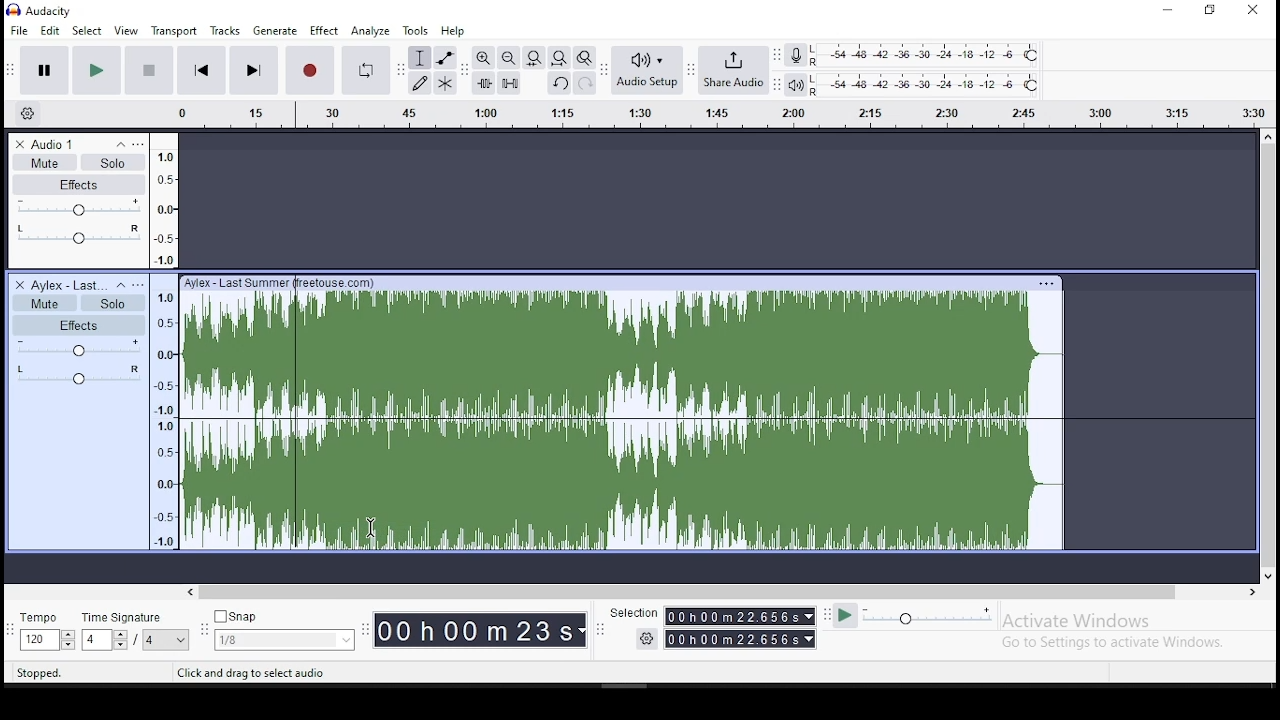 This screenshot has height=720, width=1280. Describe the element at coordinates (914, 619) in the screenshot. I see `play at speed/play at speed (once)` at that location.